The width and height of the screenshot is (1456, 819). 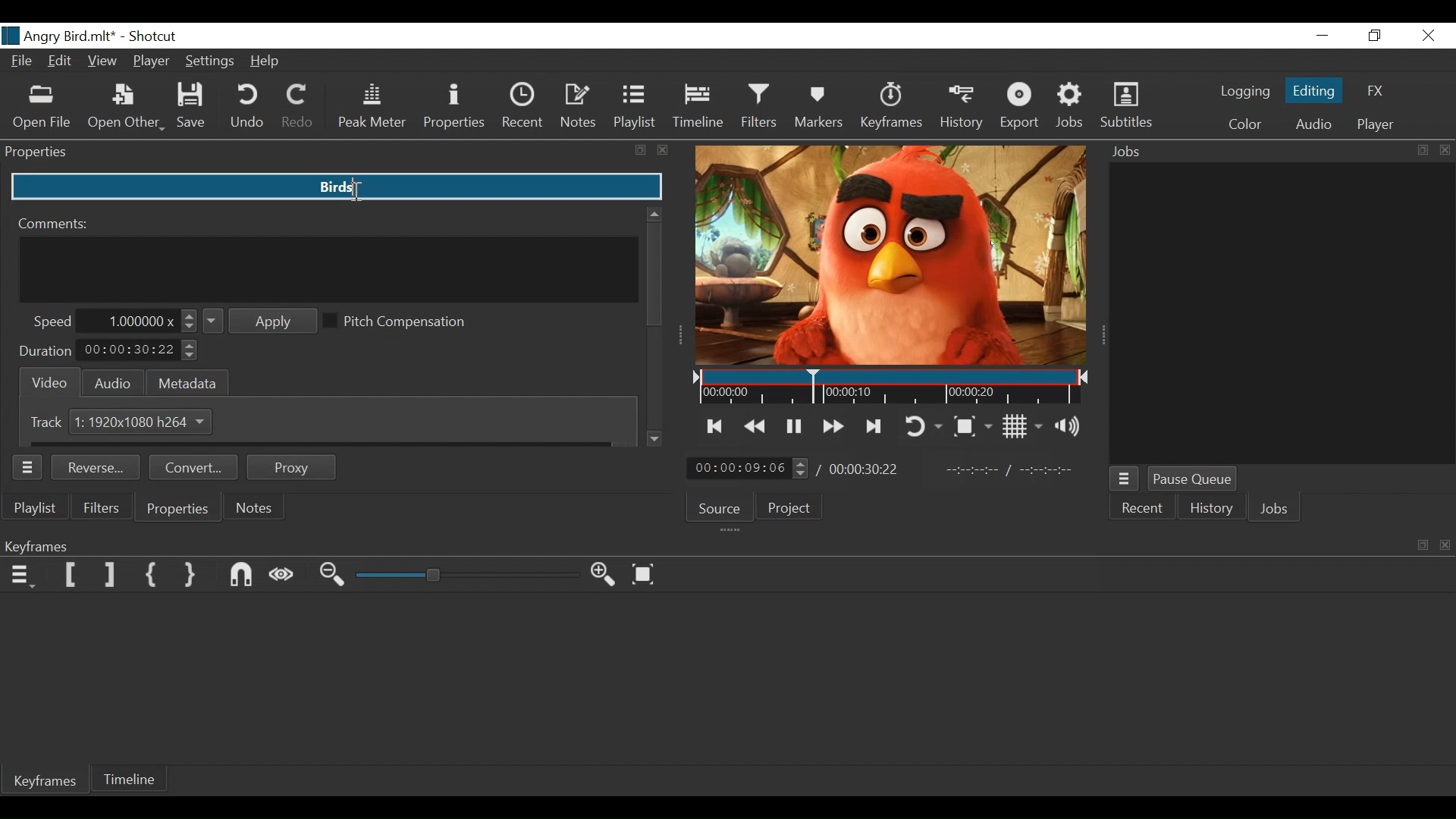 What do you see at coordinates (466, 576) in the screenshot?
I see `Zoom slider` at bounding box center [466, 576].